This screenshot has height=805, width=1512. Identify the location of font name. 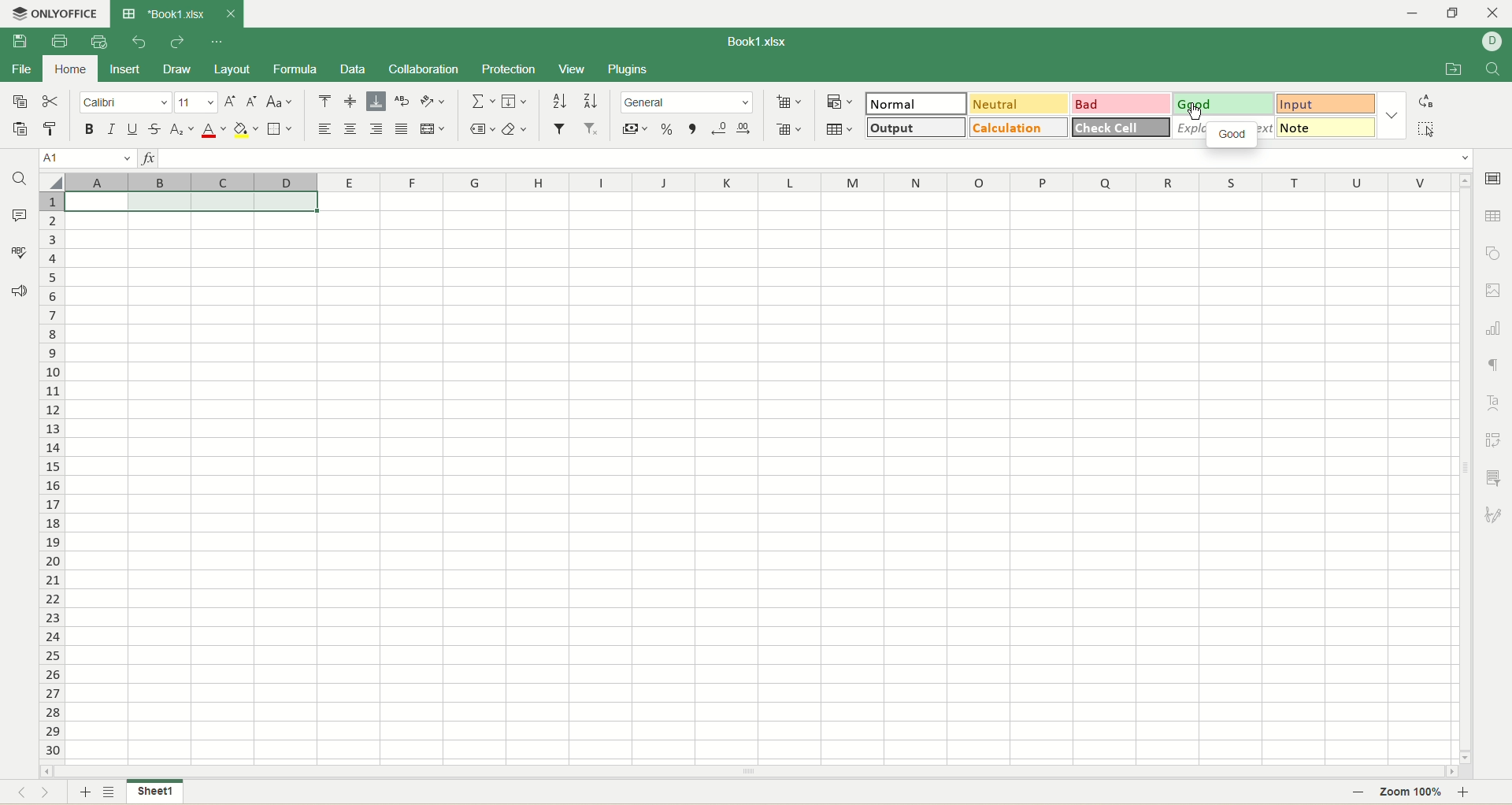
(124, 102).